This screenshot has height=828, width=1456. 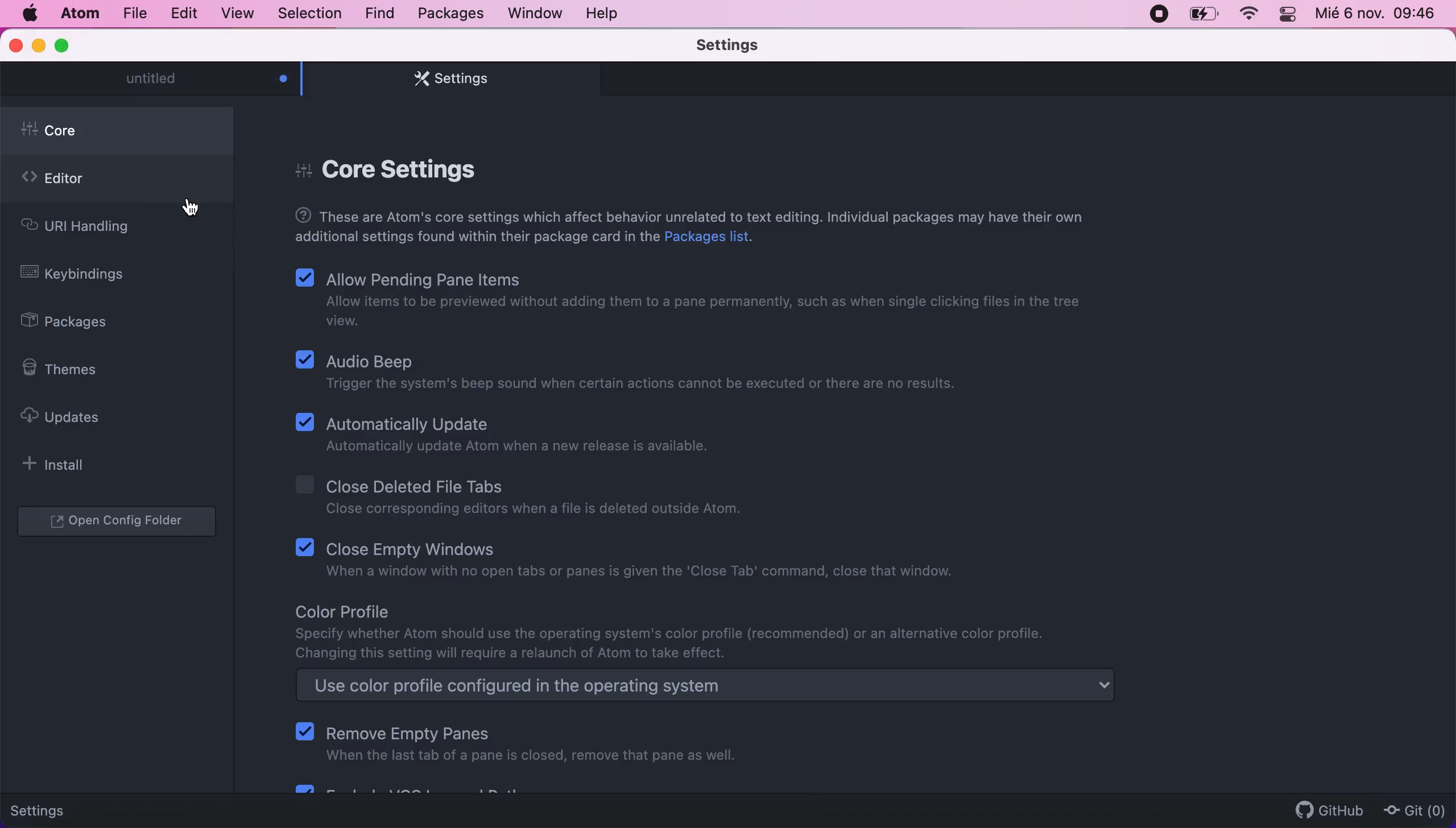 I want to click on Settings, so click(x=36, y=811).